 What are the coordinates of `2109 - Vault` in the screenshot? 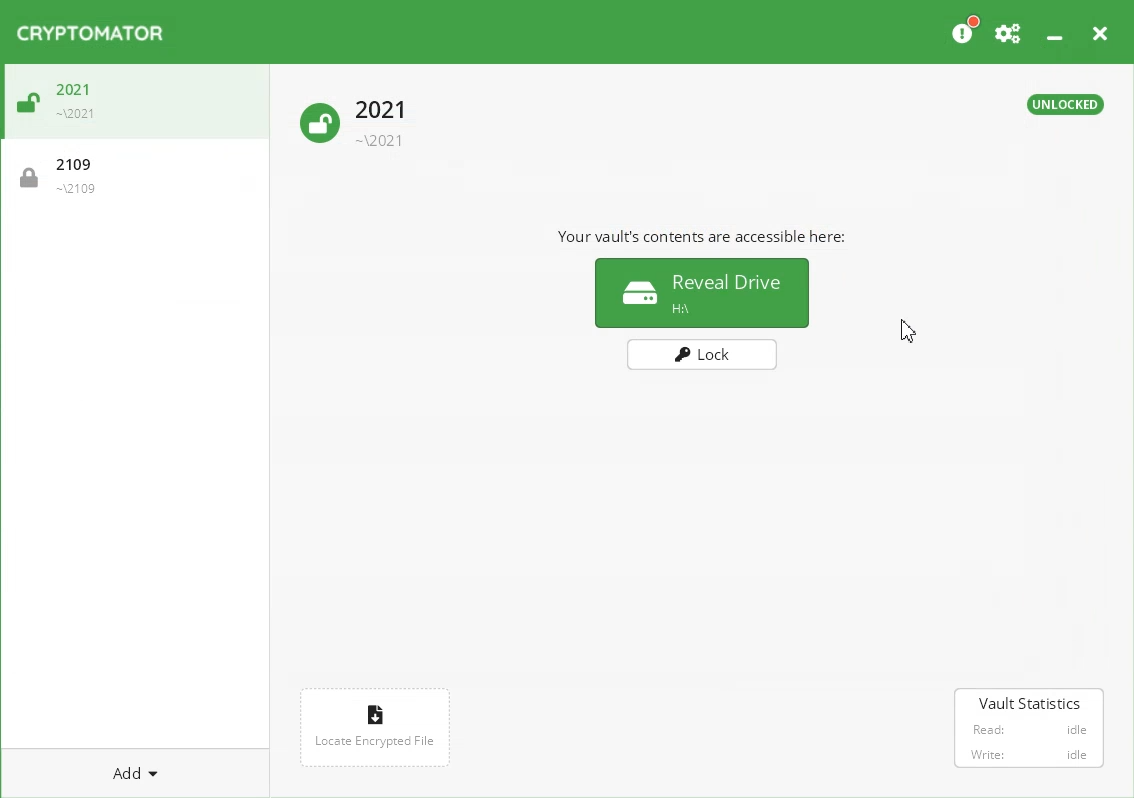 It's located at (133, 173).